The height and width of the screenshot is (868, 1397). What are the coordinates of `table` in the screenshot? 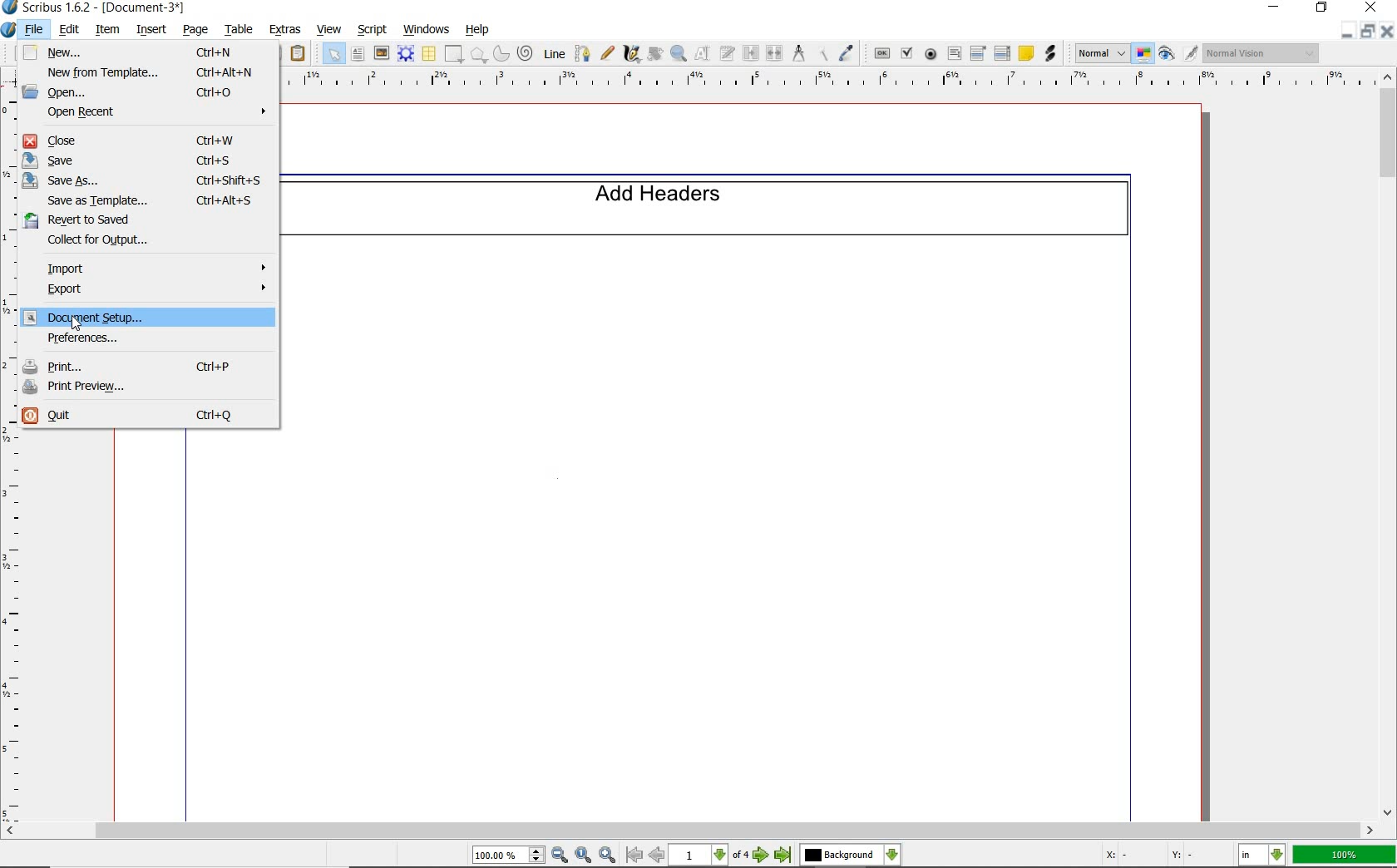 It's located at (429, 55).